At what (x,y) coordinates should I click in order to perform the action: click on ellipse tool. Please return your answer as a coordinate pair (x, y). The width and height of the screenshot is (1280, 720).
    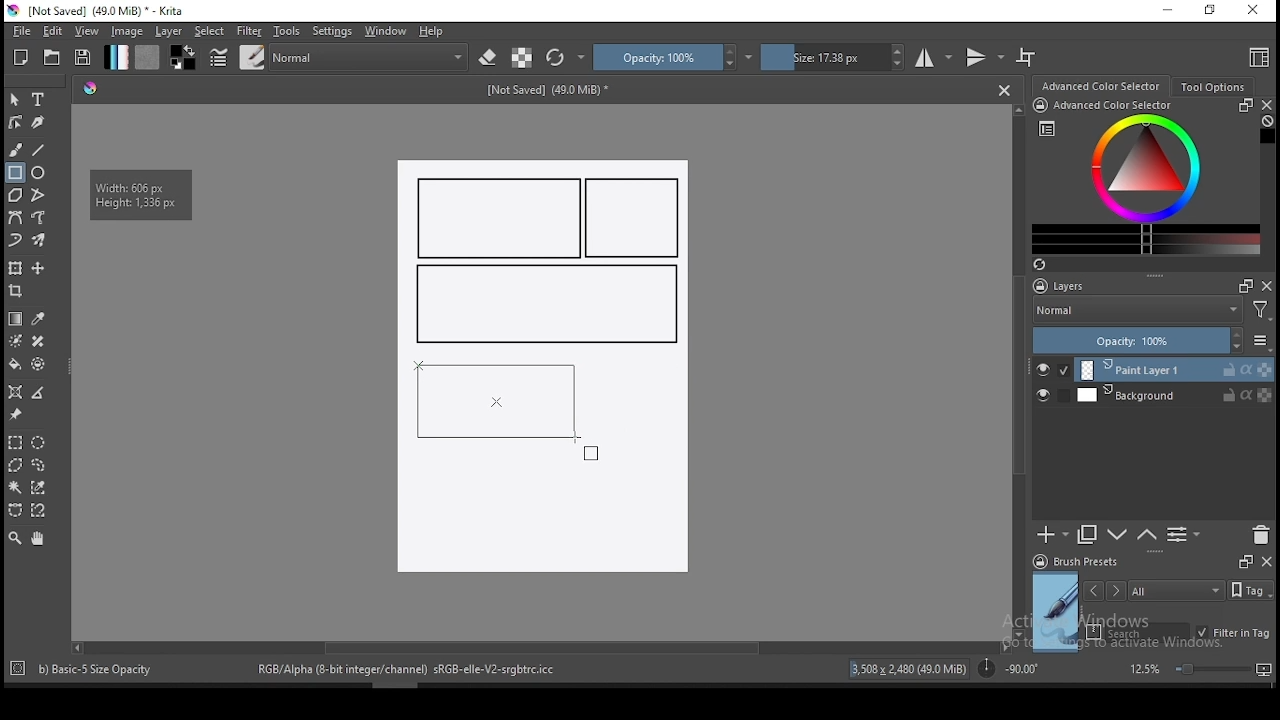
    Looking at the image, I should click on (39, 171).